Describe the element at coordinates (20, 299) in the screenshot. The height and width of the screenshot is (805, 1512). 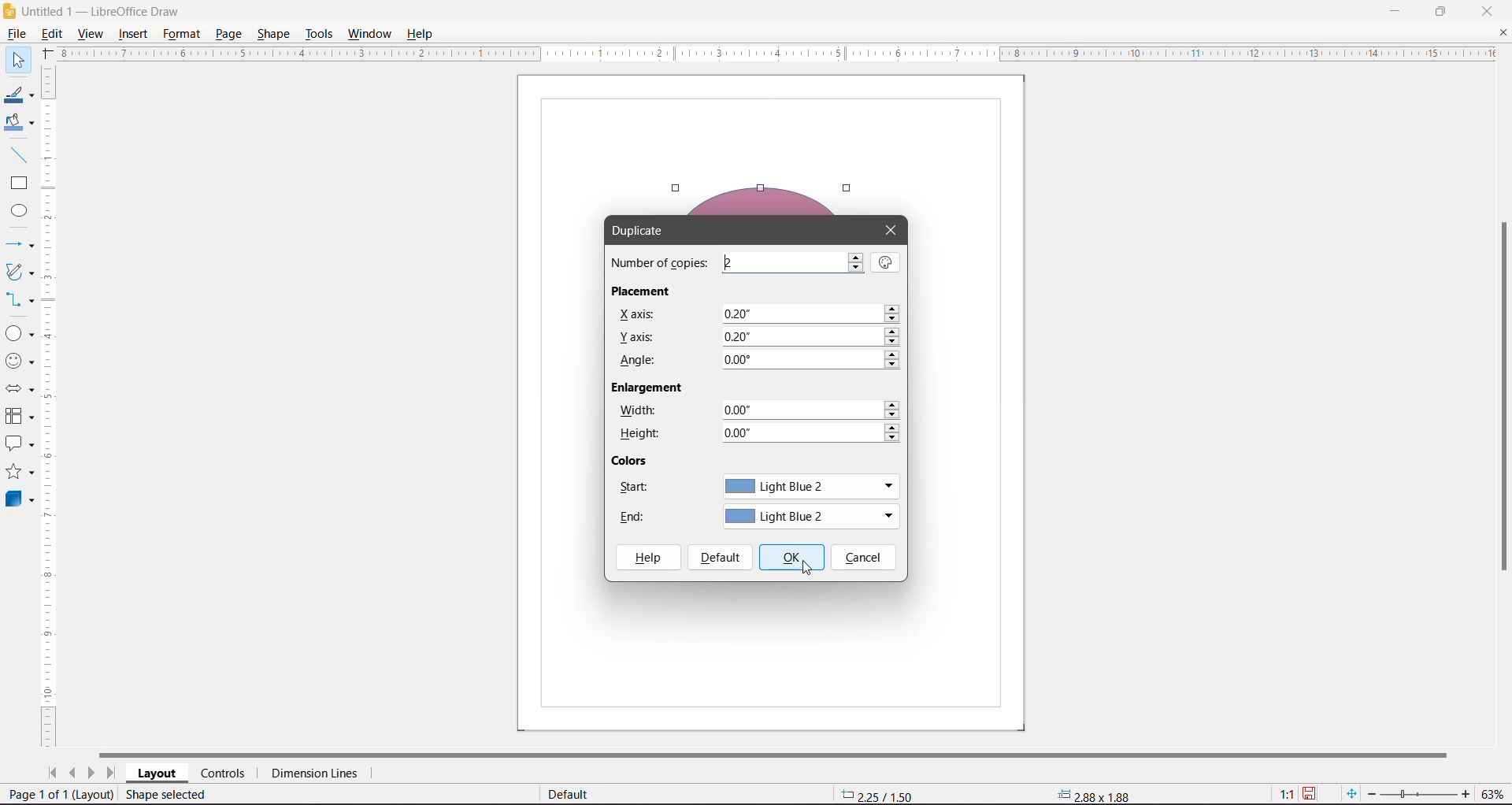
I see `Connectors` at that location.